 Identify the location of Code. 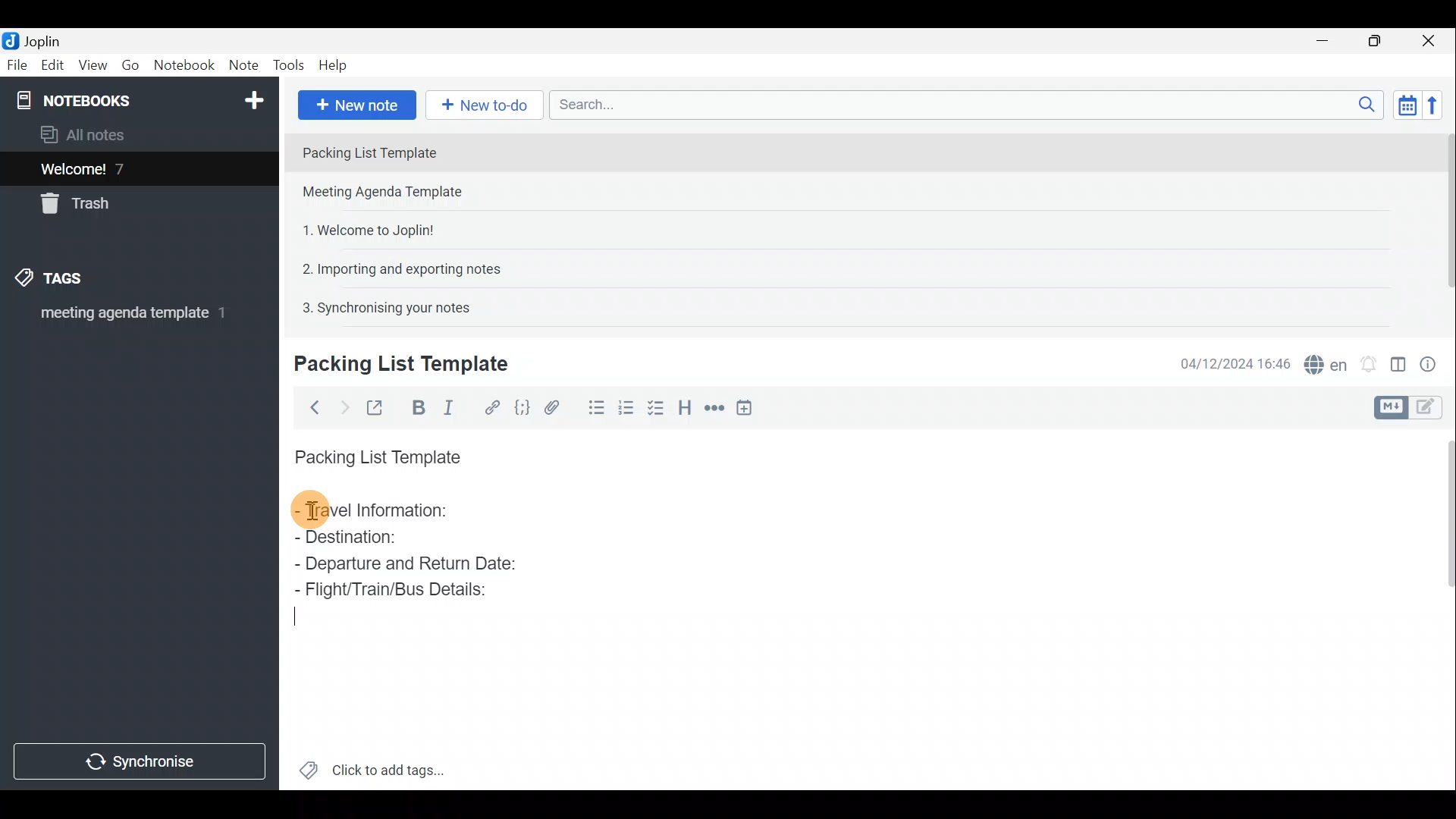
(522, 406).